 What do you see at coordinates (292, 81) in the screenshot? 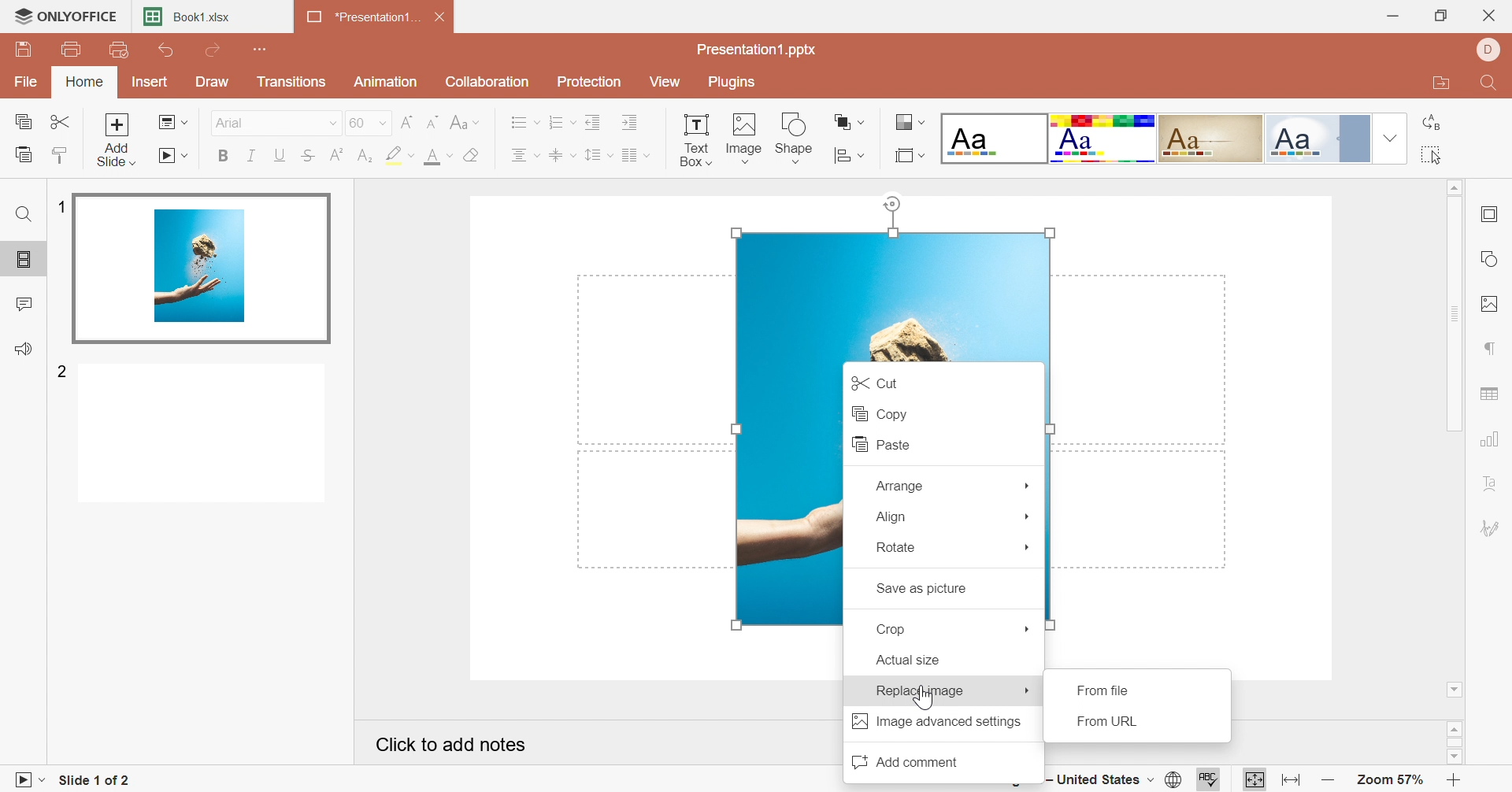
I see `Transitions` at bounding box center [292, 81].